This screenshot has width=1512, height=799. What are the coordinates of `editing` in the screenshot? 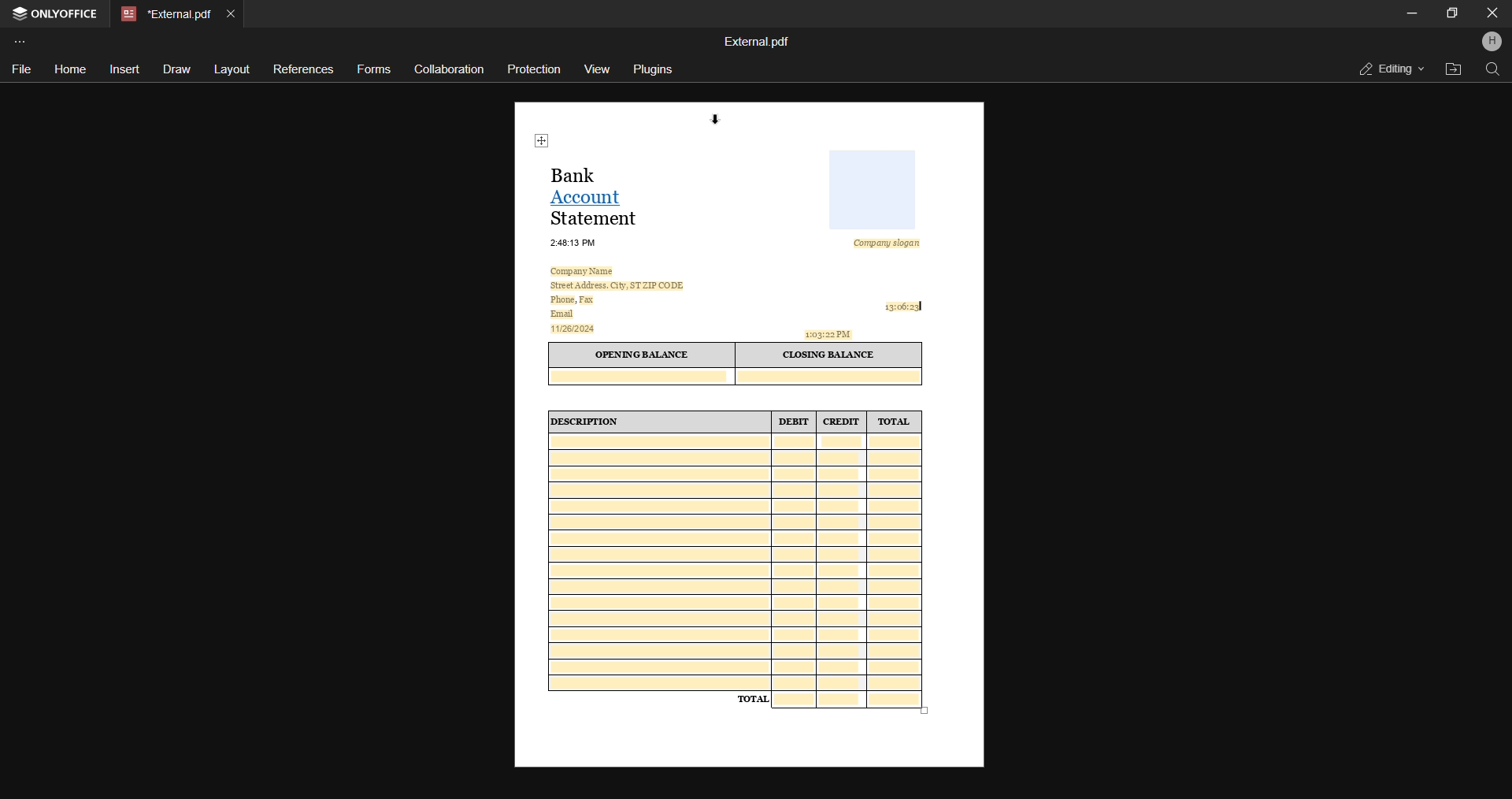 It's located at (1386, 69).